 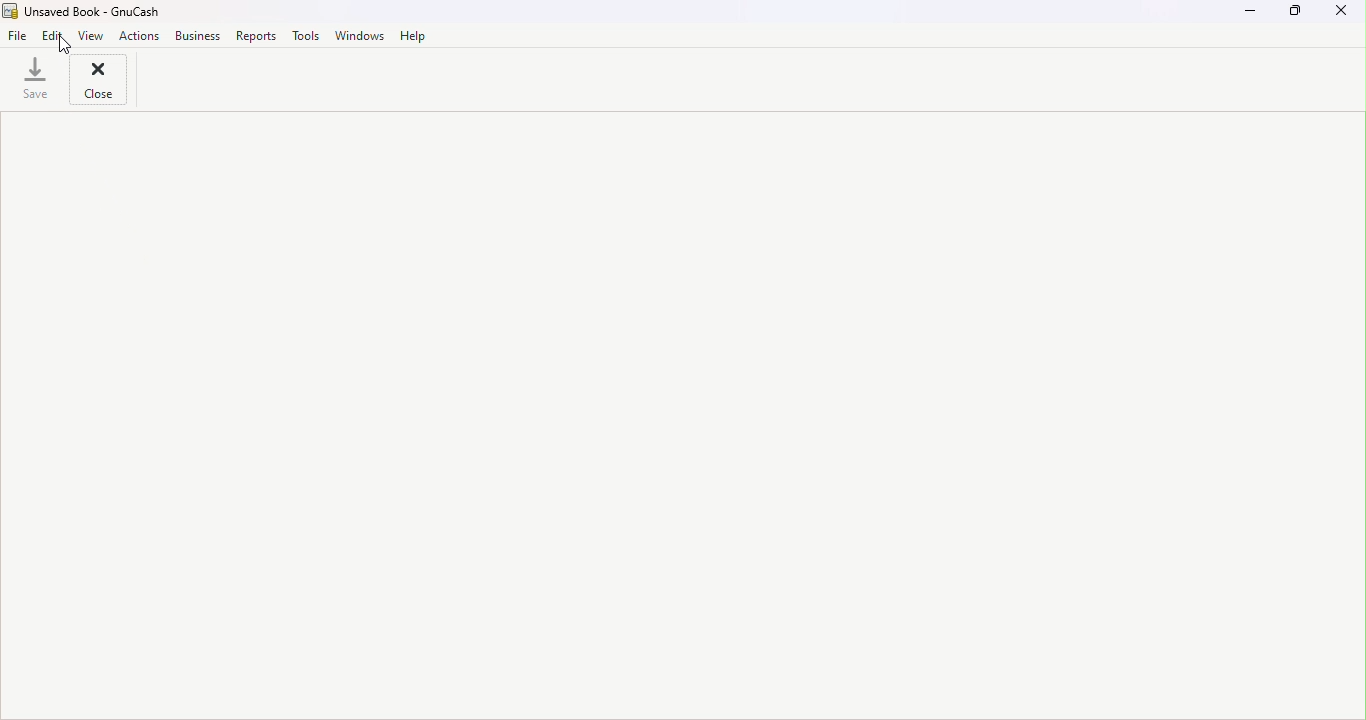 I want to click on Close, so click(x=1344, y=10).